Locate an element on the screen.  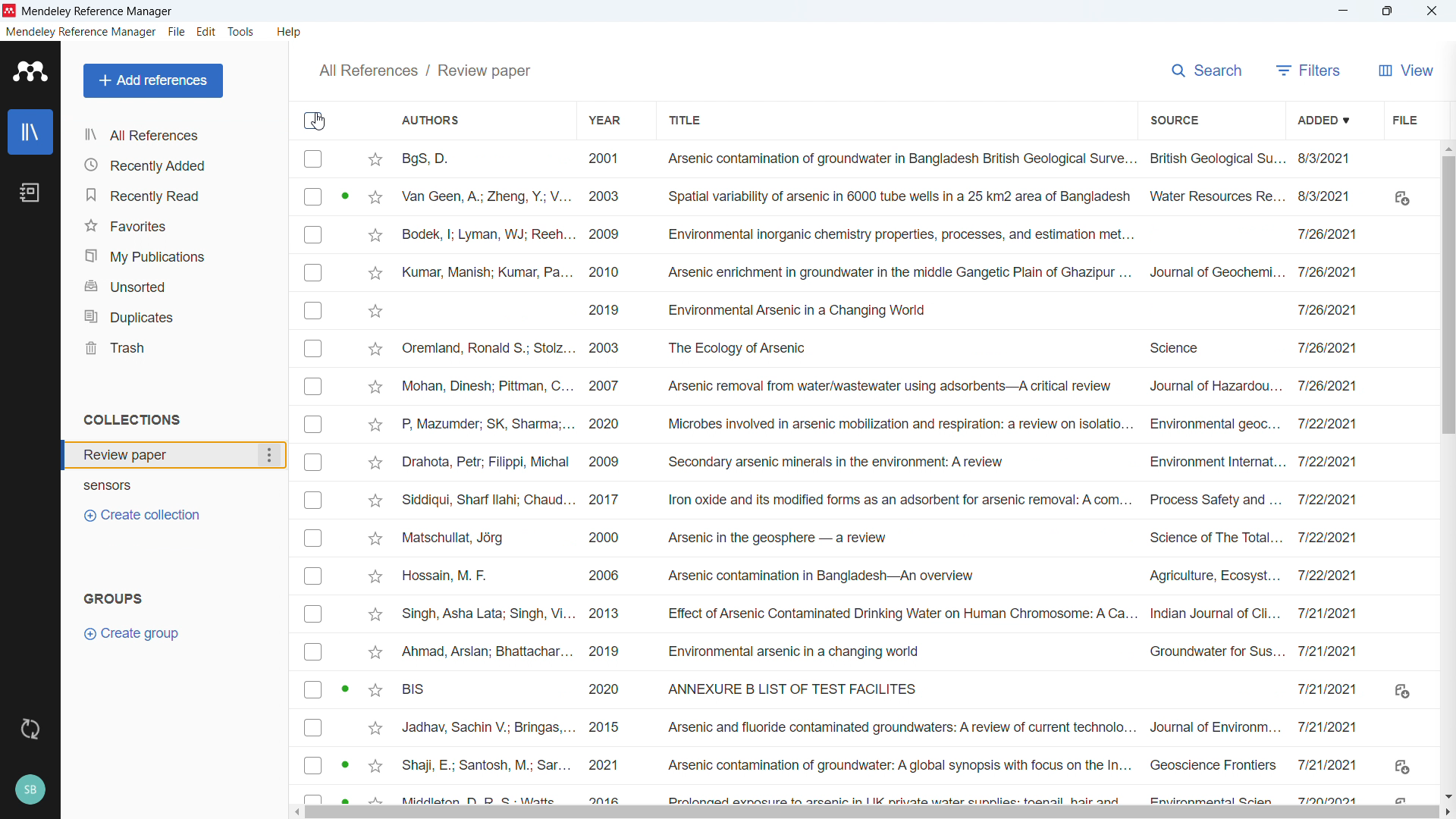
Select respective publication is located at coordinates (313, 425).